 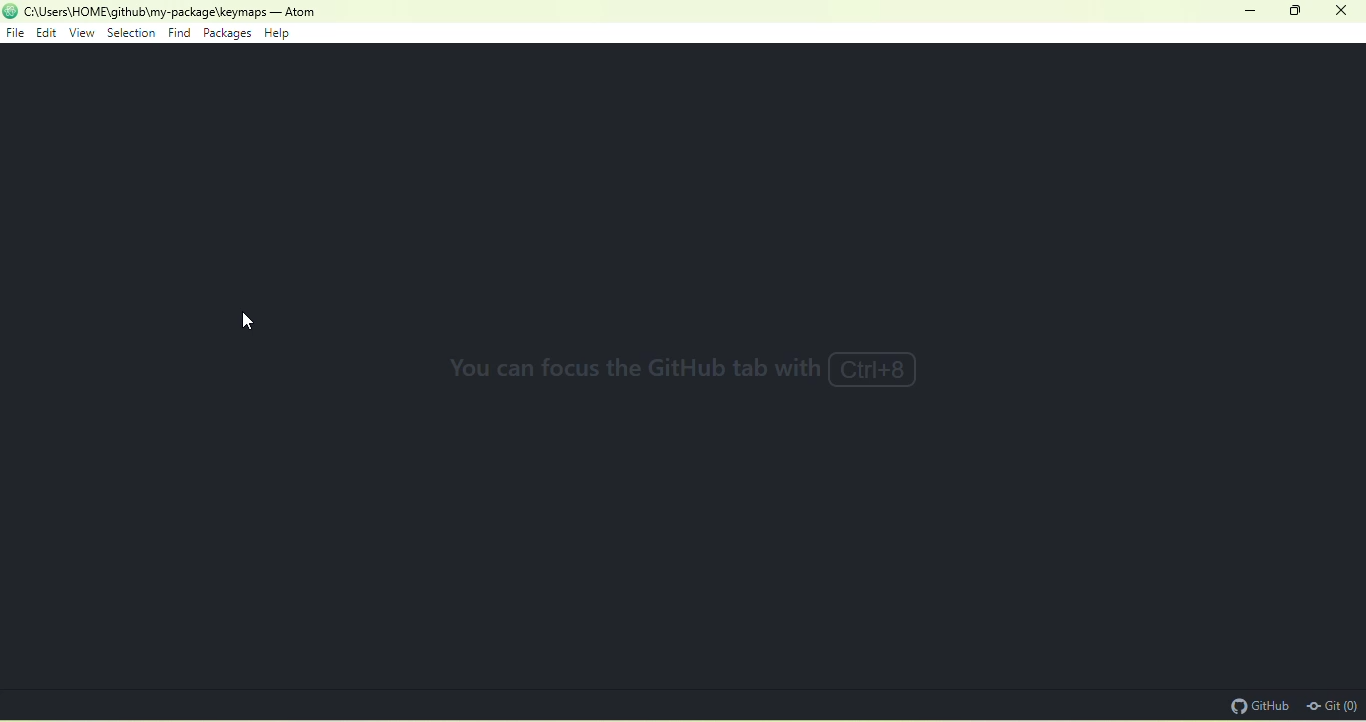 I want to click on - Atom, so click(x=295, y=11).